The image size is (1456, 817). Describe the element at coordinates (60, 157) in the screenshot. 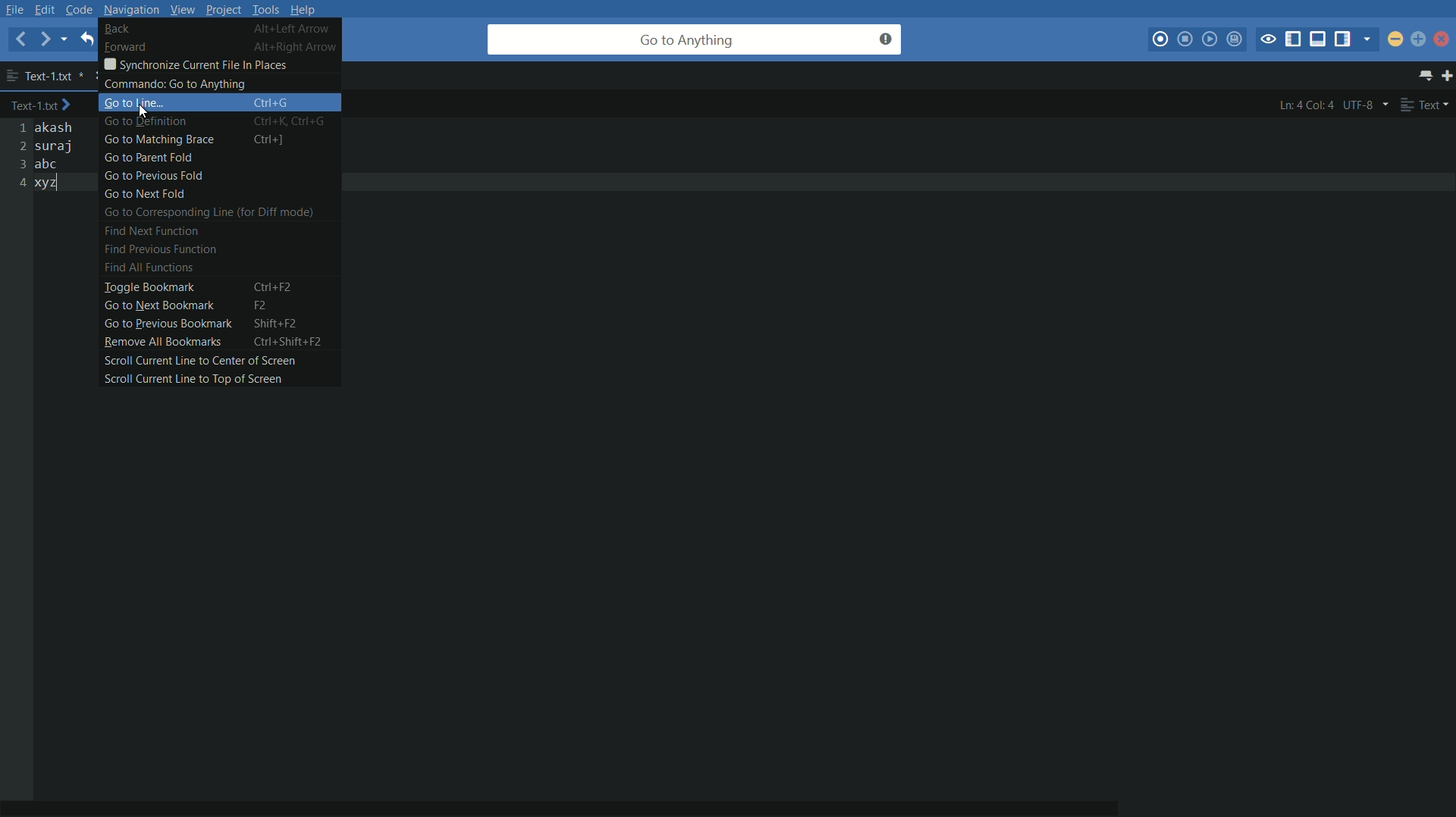

I see `akash suraj abc xyz` at that location.